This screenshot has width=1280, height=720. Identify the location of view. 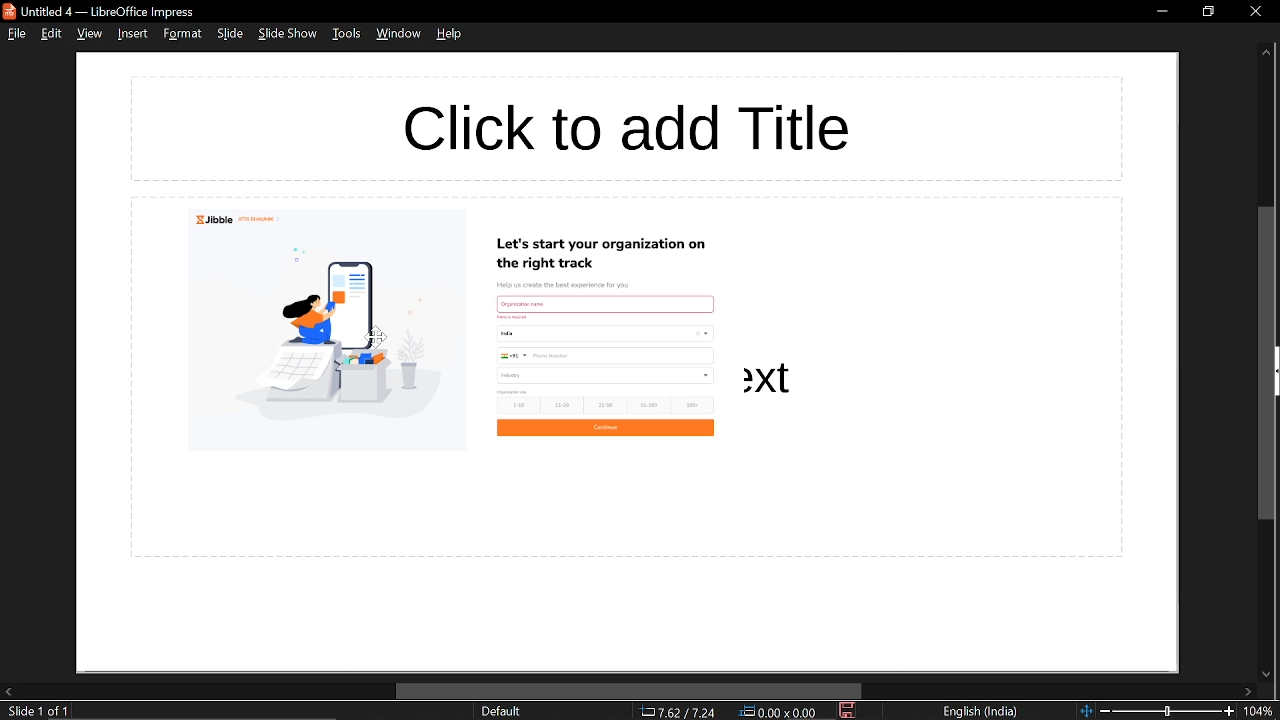
(89, 35).